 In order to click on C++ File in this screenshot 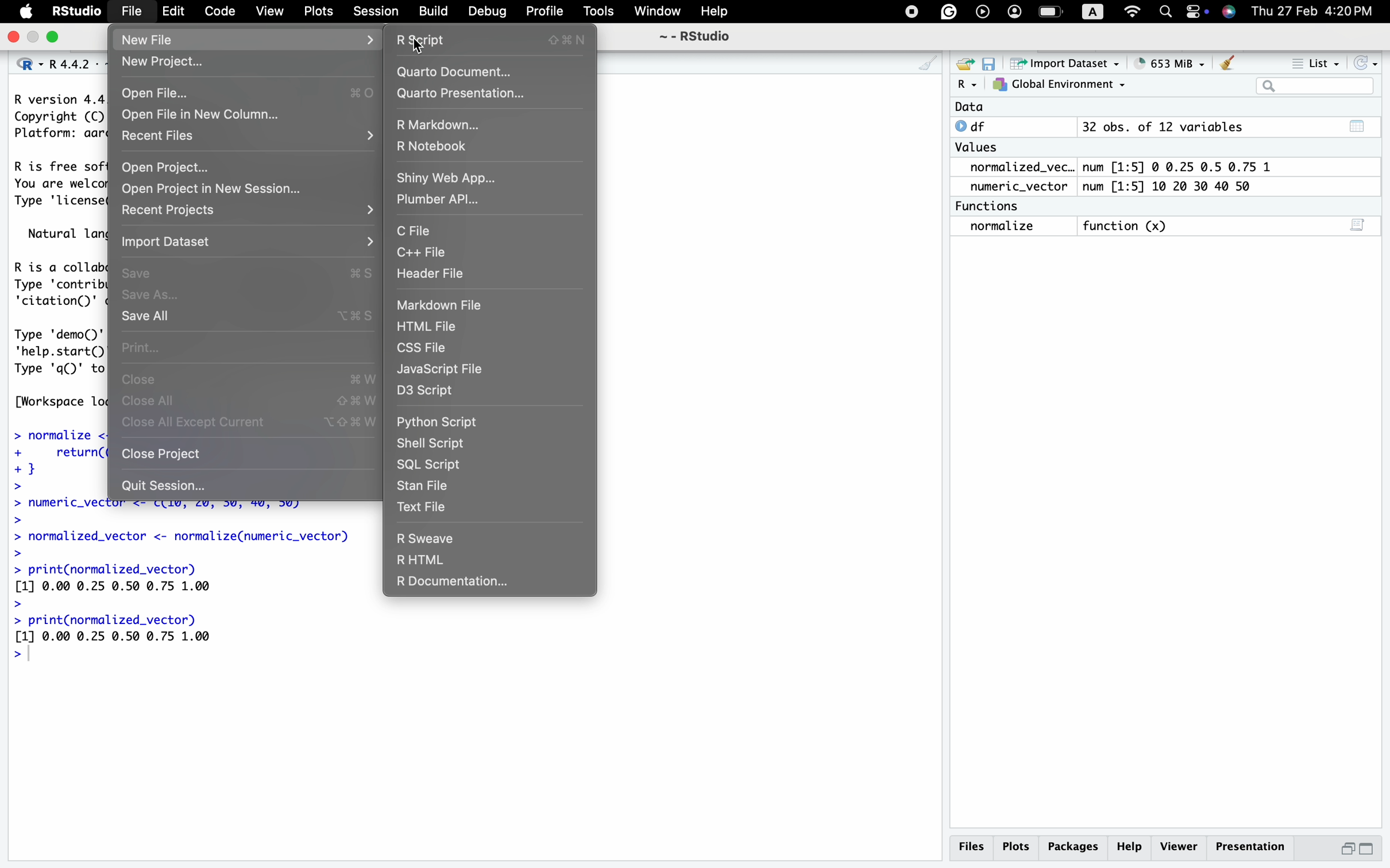, I will do `click(422, 253)`.